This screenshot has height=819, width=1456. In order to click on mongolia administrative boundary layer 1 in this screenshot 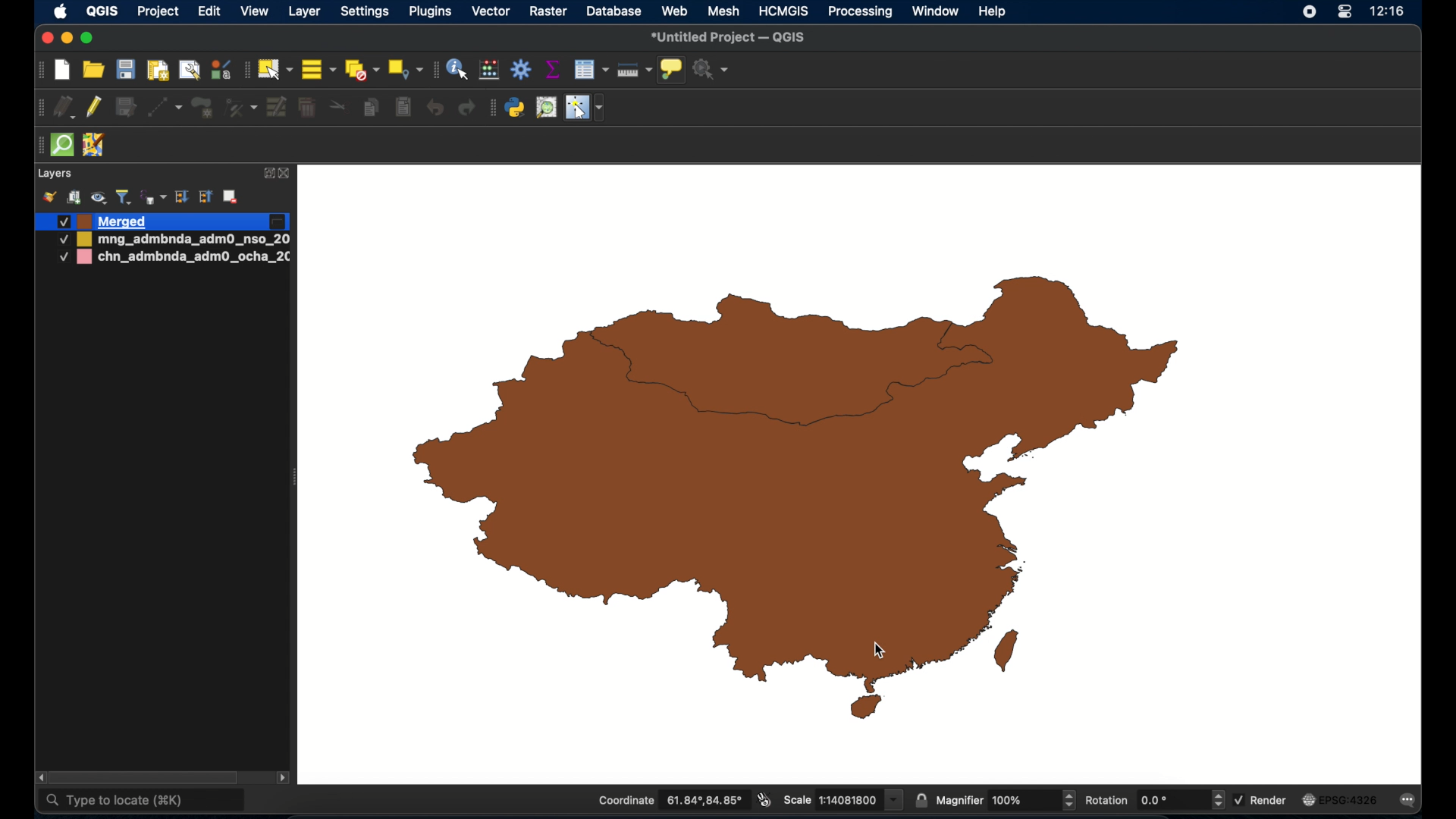, I will do `click(172, 240)`.